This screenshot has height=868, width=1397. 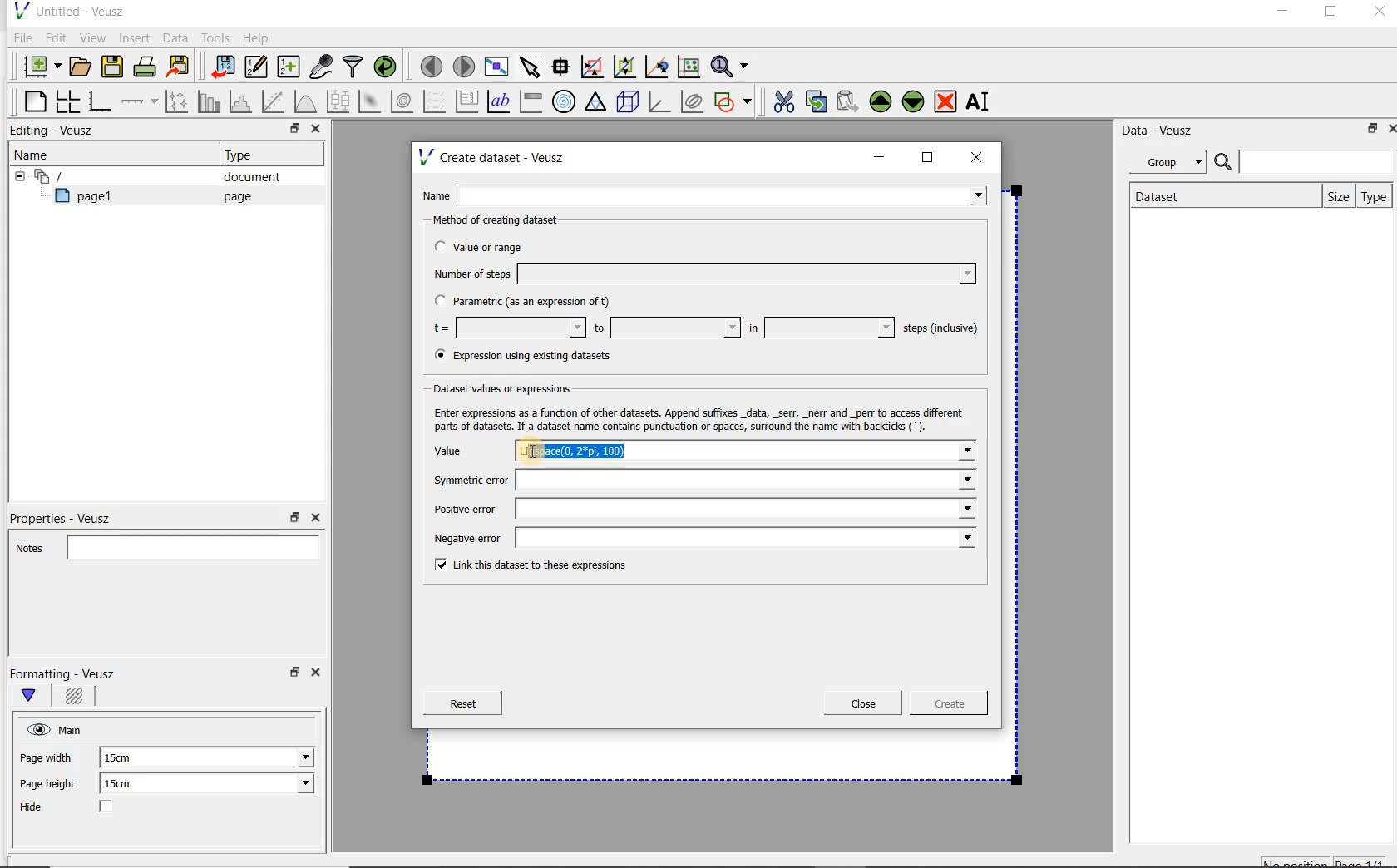 I want to click on cut the selected widget, so click(x=781, y=100).